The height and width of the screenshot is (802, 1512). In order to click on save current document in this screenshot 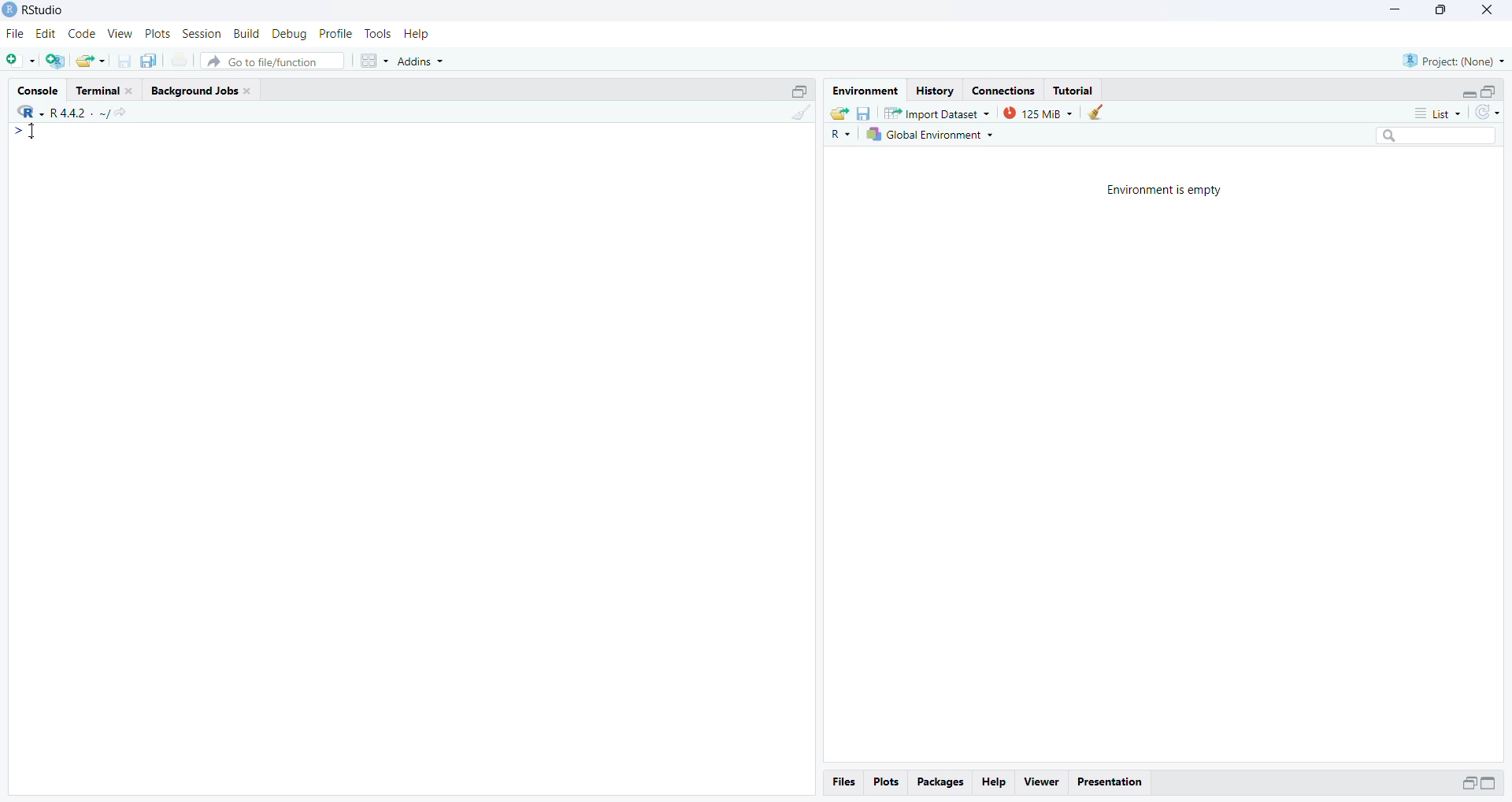, I will do `click(124, 60)`.